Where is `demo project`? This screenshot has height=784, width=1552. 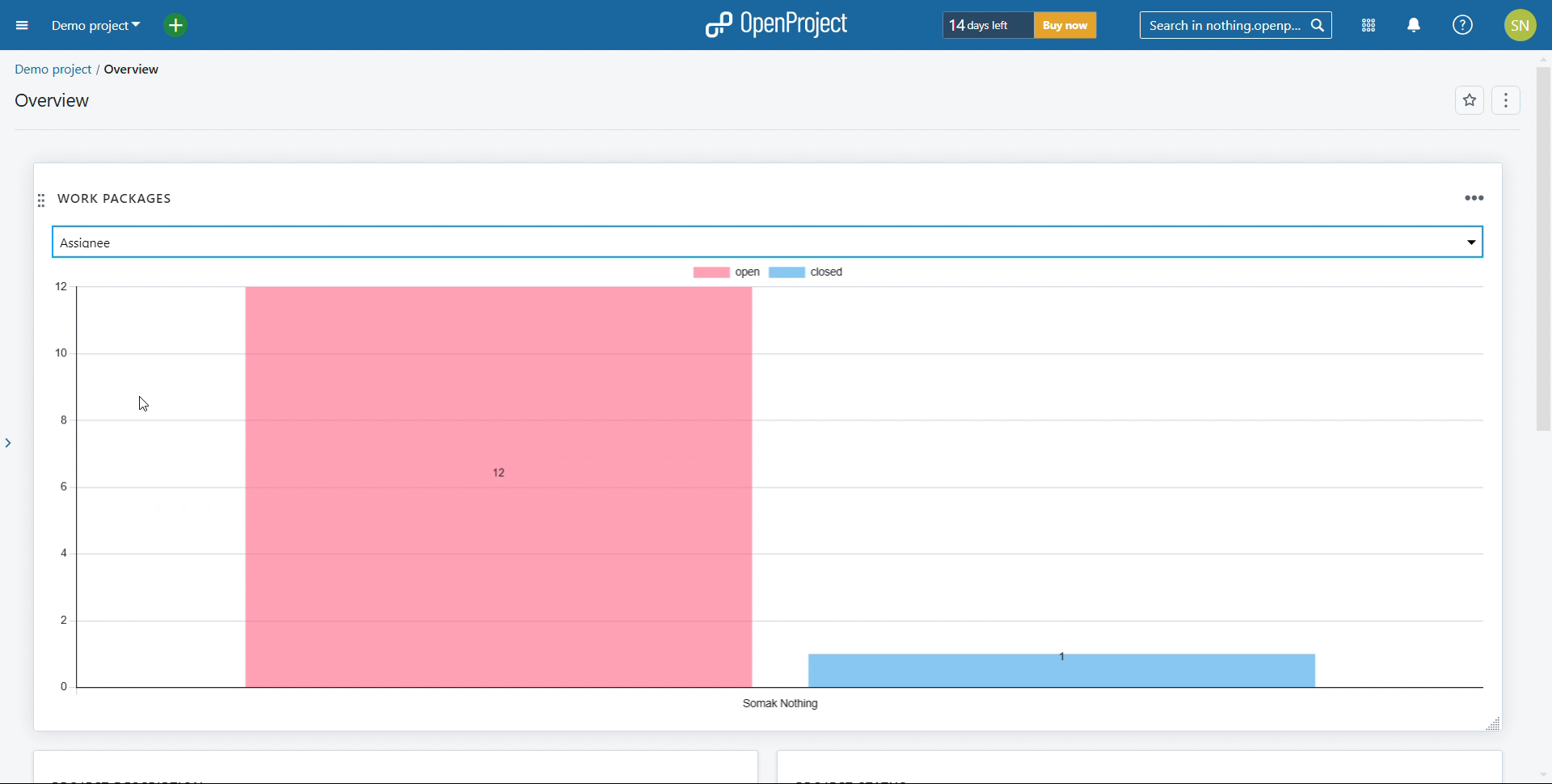
demo project is located at coordinates (52, 69).